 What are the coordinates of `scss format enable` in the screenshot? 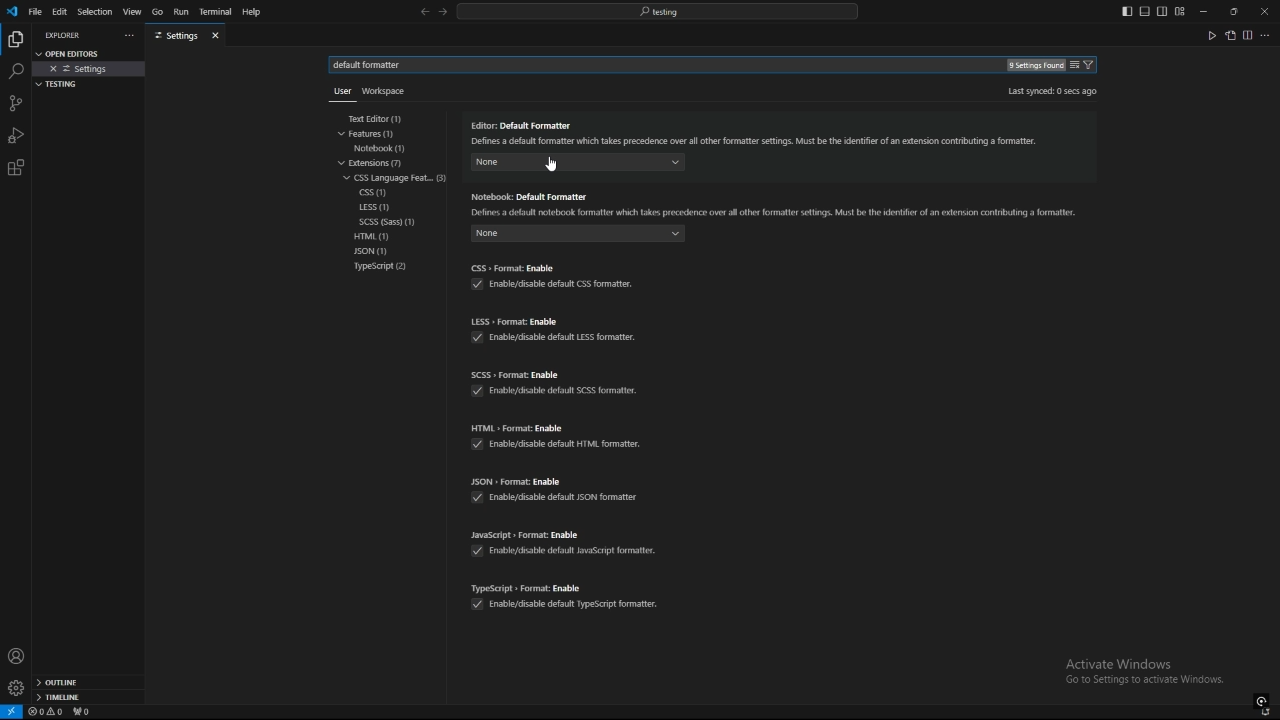 It's located at (558, 373).